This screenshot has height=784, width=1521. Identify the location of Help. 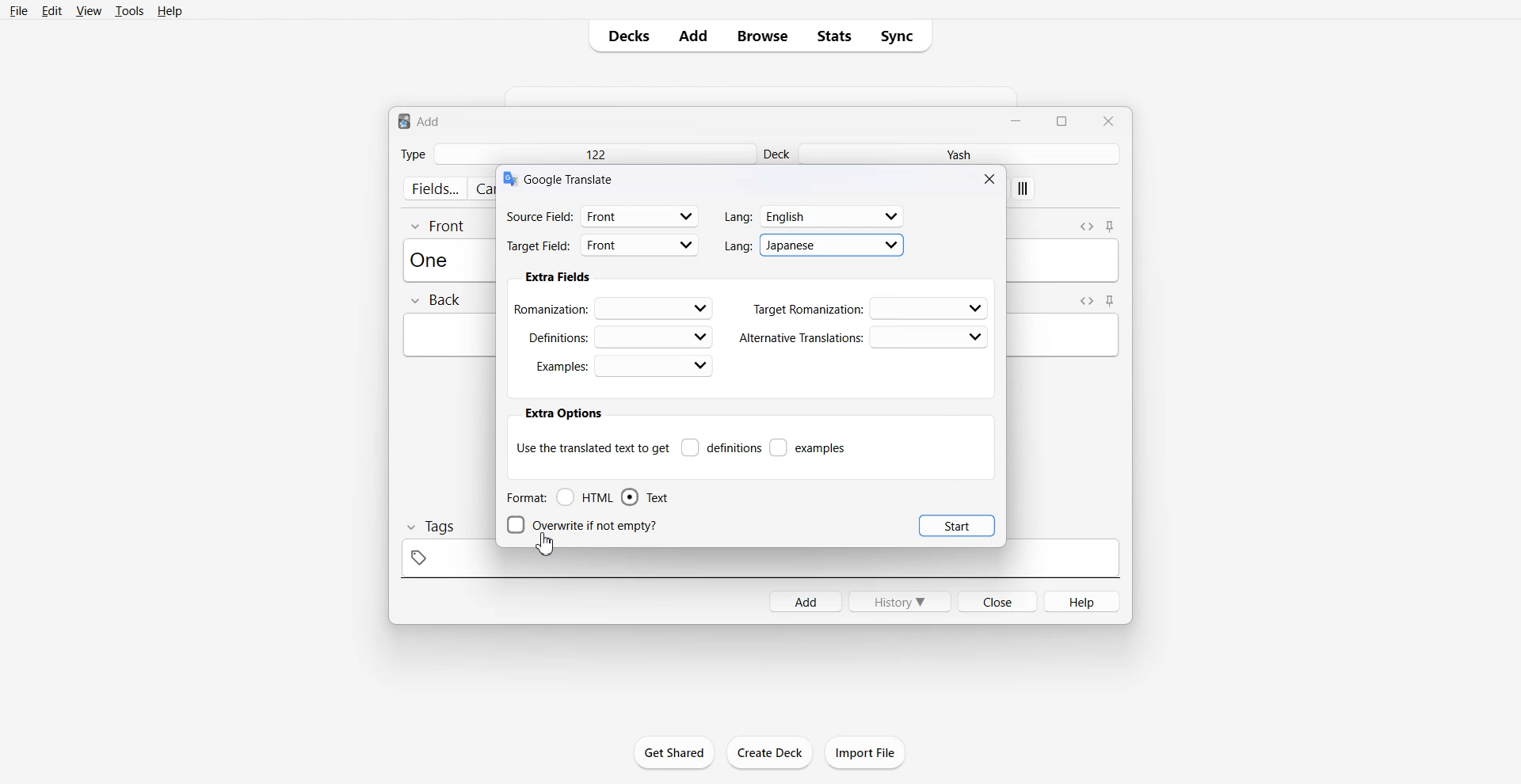
(170, 10).